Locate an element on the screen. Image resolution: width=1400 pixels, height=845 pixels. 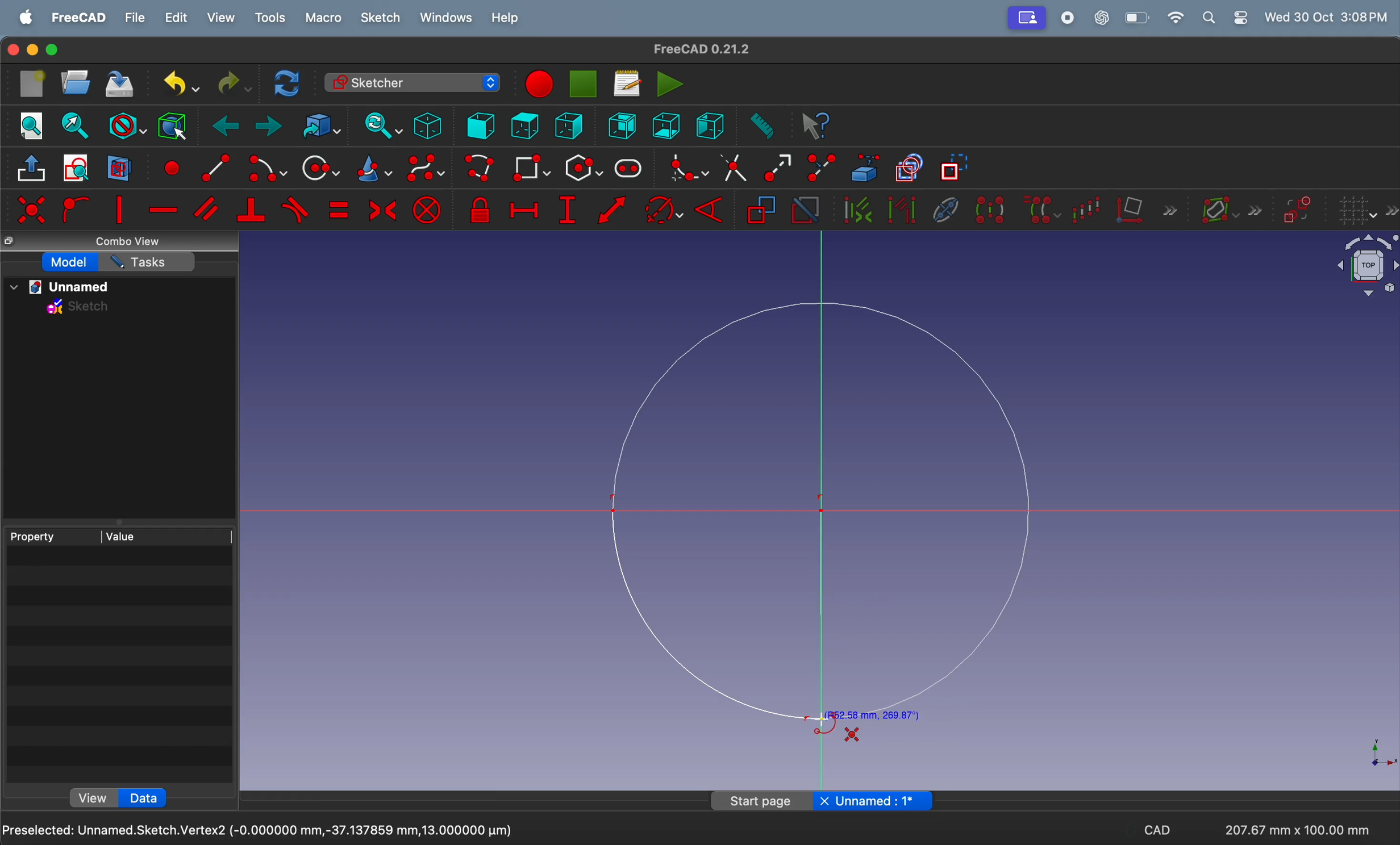
model task is located at coordinates (70, 262).